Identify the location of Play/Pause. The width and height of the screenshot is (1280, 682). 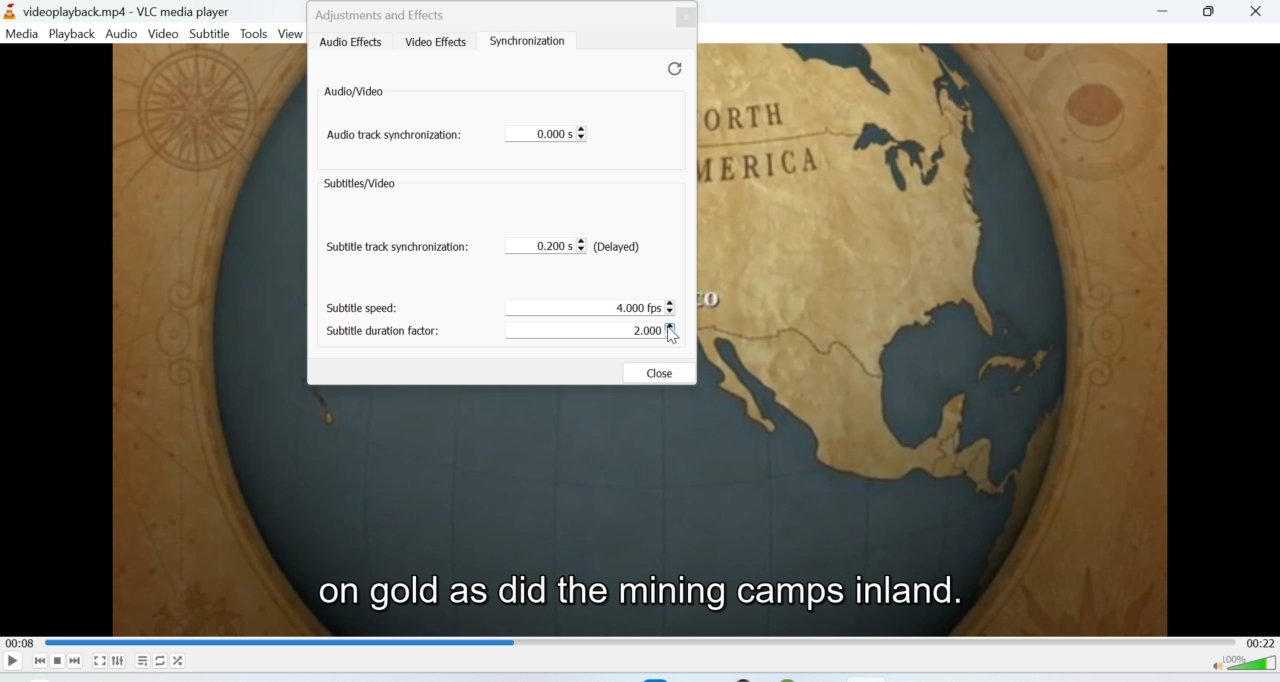
(13, 661).